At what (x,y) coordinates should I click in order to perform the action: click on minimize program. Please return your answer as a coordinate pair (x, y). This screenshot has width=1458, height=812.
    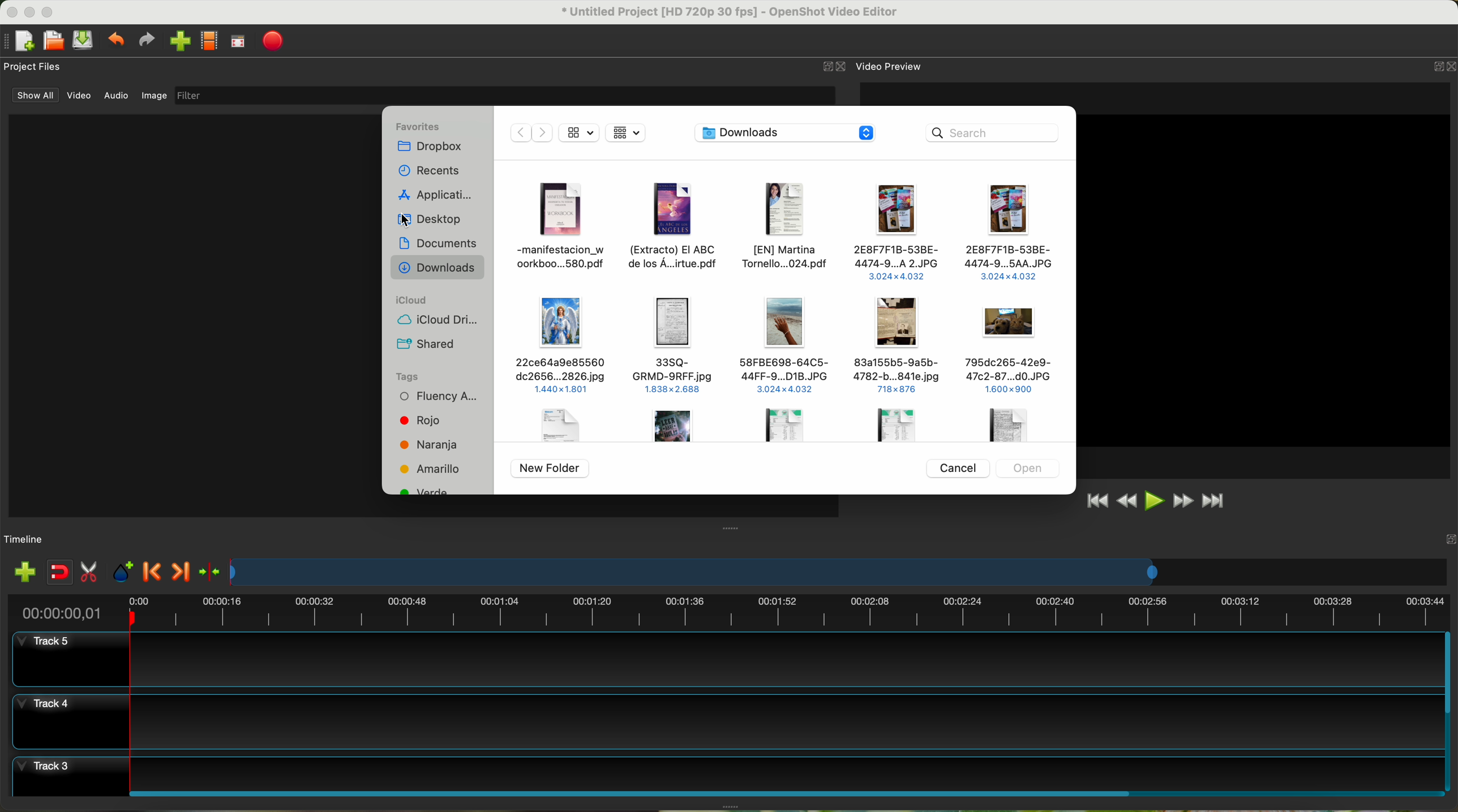
    Looking at the image, I should click on (31, 12).